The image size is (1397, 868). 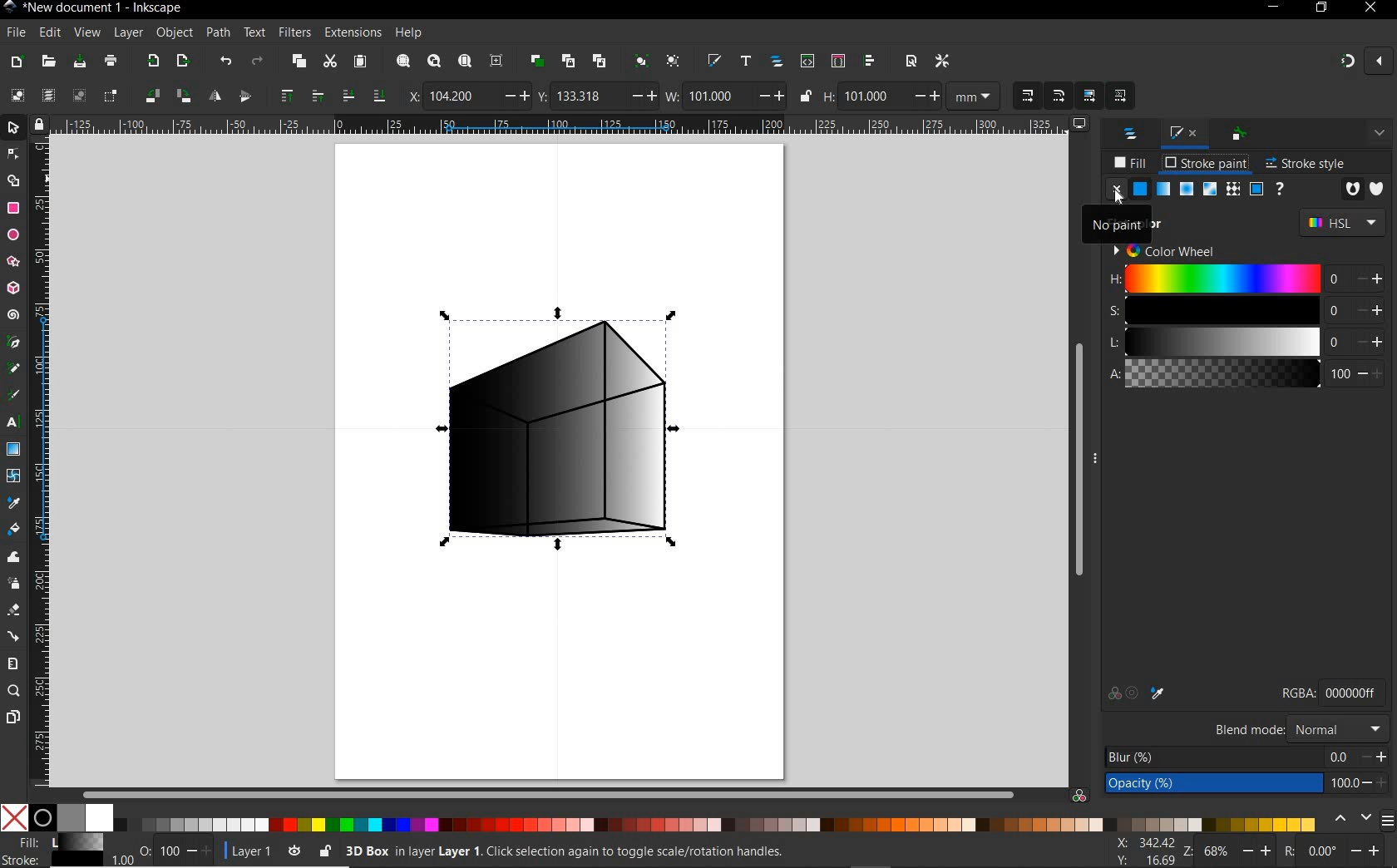 What do you see at coordinates (50, 33) in the screenshot?
I see `EDIT` at bounding box center [50, 33].